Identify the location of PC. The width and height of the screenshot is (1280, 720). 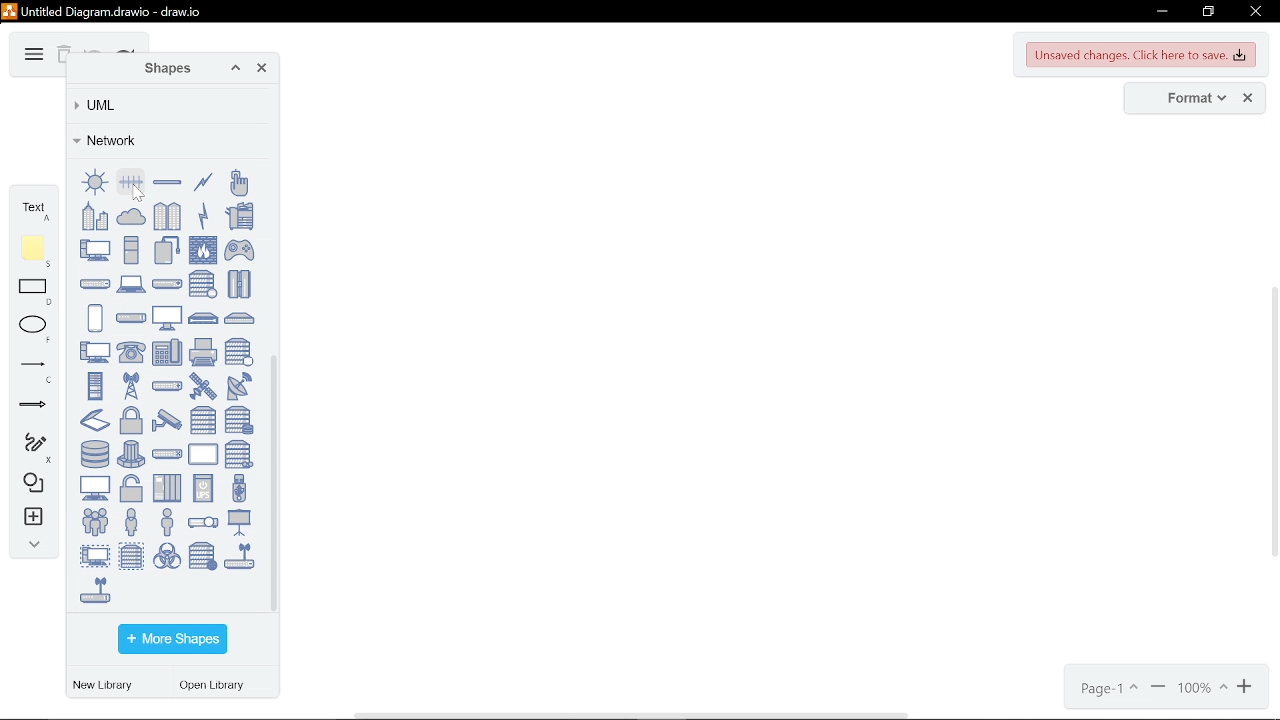
(95, 249).